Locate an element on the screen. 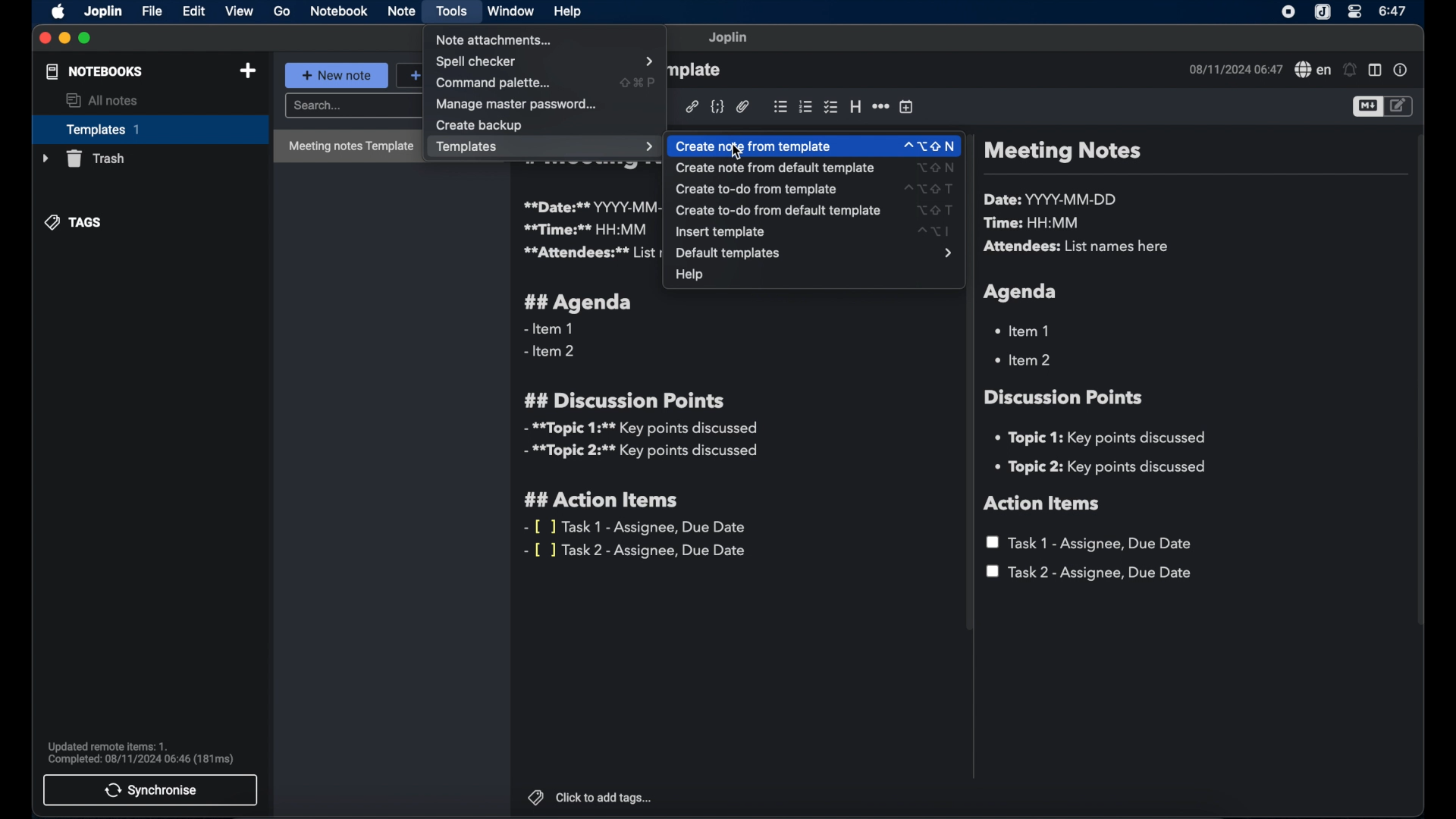 Image resolution: width=1456 pixels, height=819 pixels. agenda is located at coordinates (1021, 292).